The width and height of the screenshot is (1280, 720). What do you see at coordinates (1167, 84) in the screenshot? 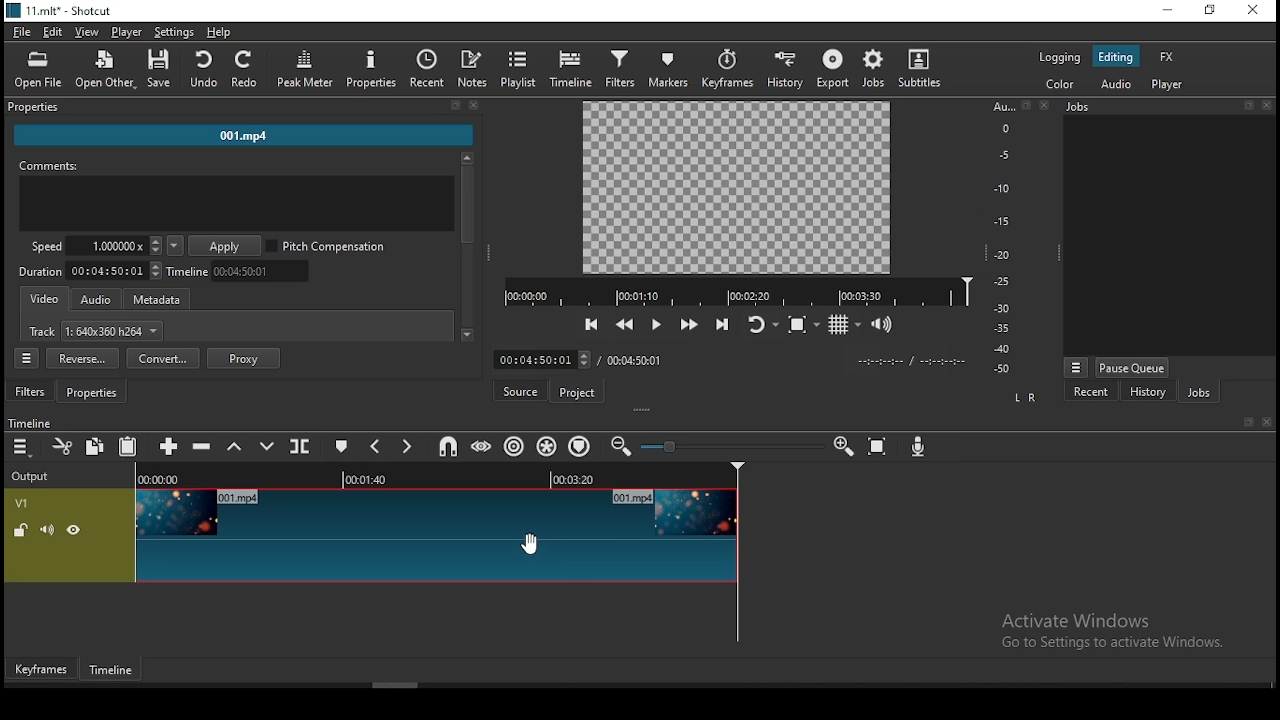
I see `player` at bounding box center [1167, 84].